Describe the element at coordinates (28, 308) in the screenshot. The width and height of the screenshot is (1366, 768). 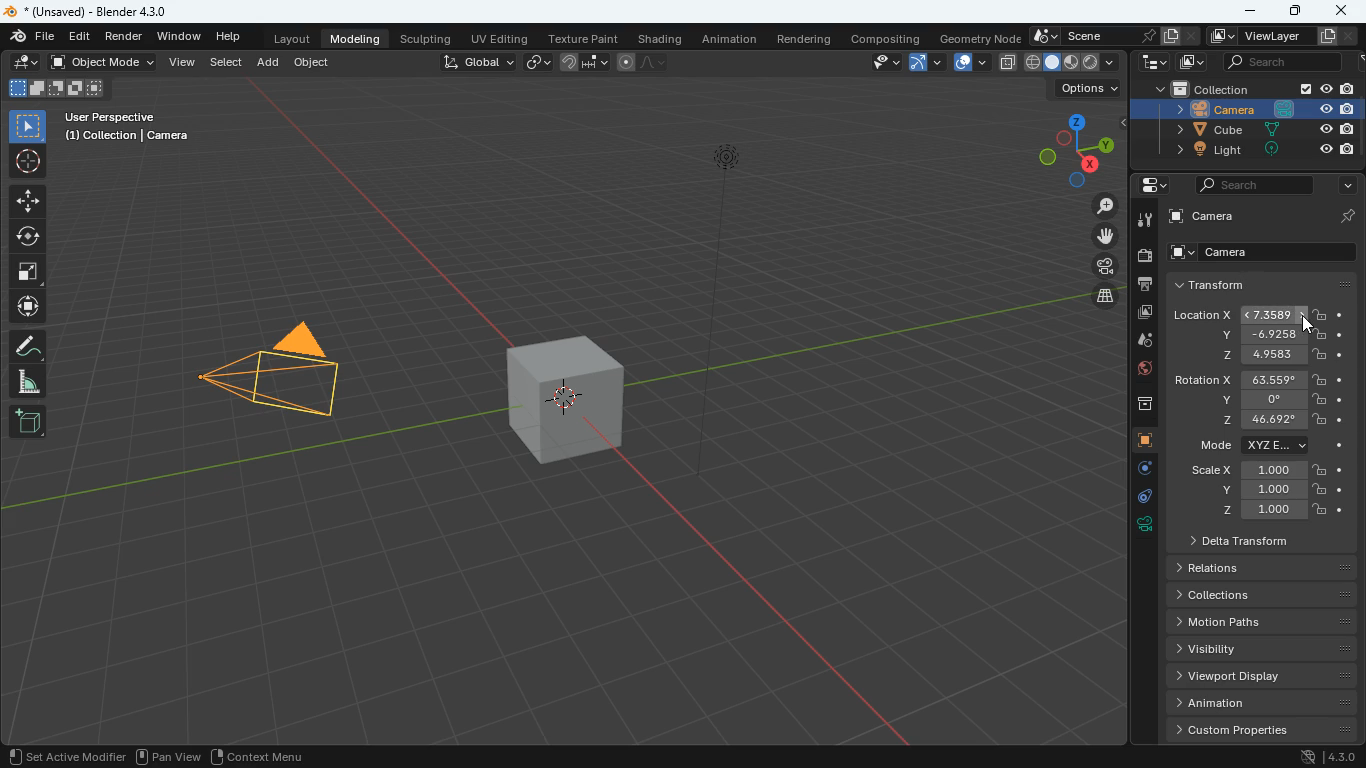
I see `move` at that location.